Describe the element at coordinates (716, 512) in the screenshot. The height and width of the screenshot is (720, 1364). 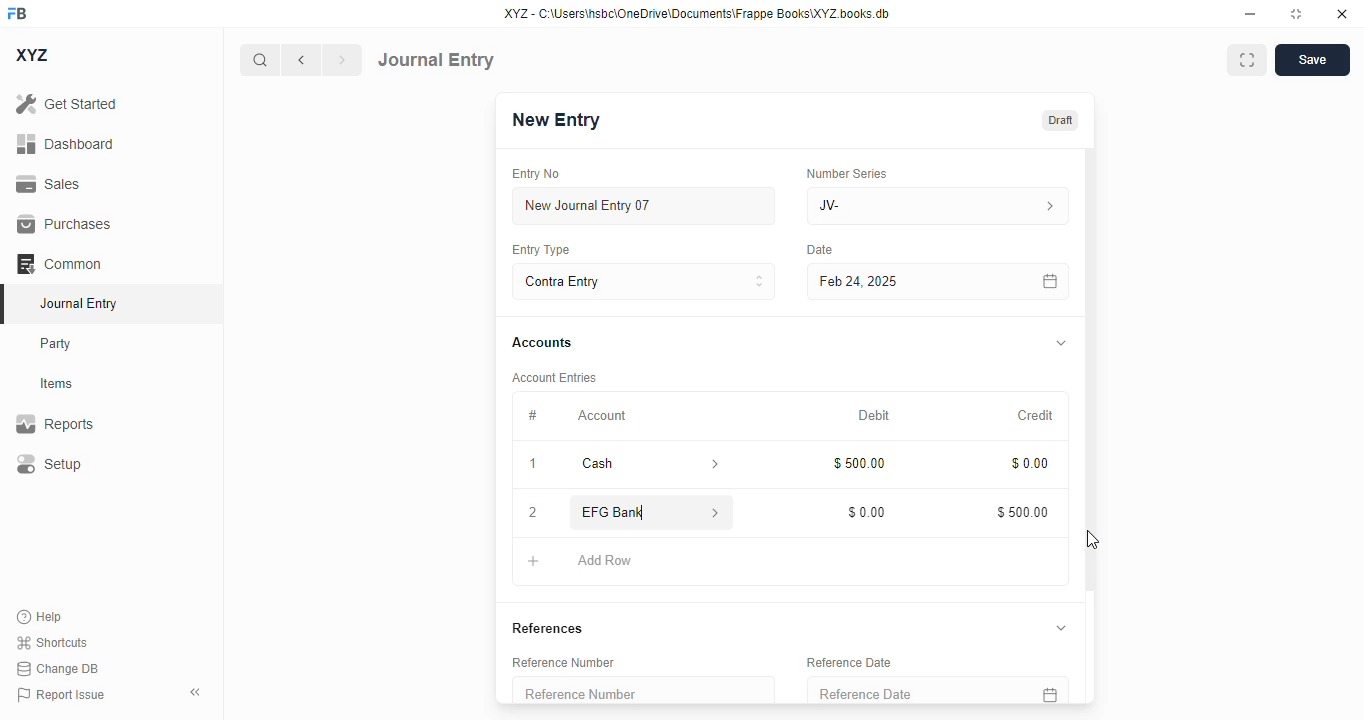
I see `account information` at that location.